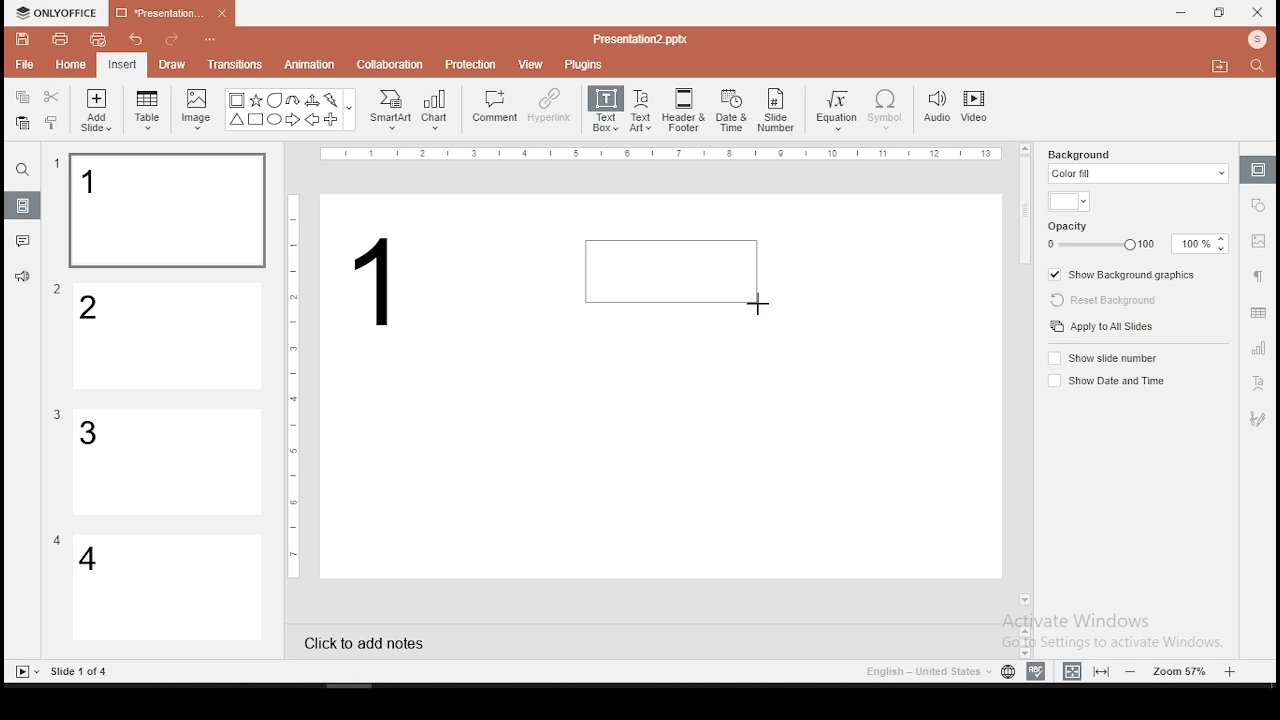 The height and width of the screenshot is (720, 1280). What do you see at coordinates (1036, 671) in the screenshot?
I see `spell check` at bounding box center [1036, 671].